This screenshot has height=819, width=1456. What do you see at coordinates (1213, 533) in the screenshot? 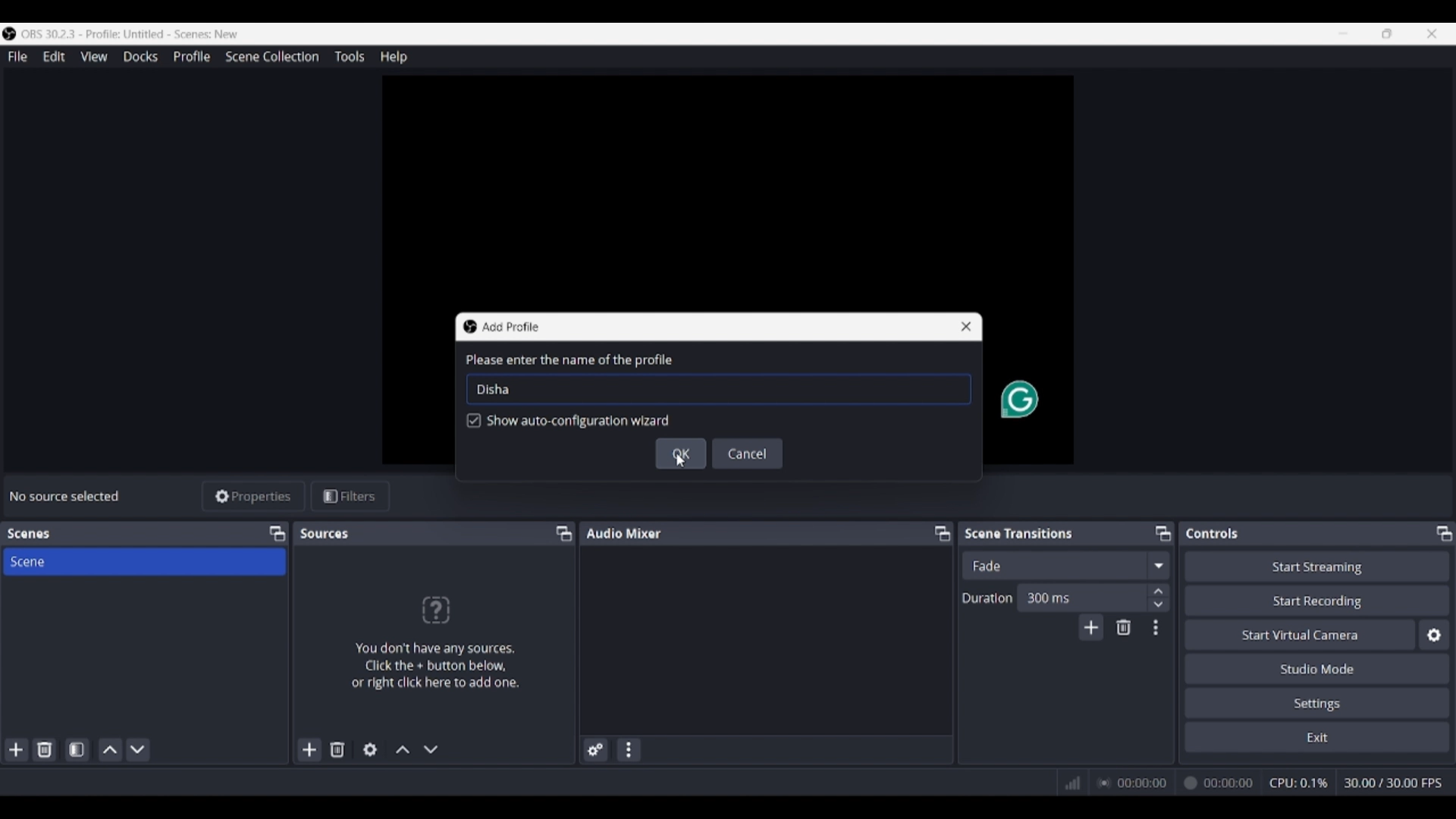
I see `Panel title` at bounding box center [1213, 533].